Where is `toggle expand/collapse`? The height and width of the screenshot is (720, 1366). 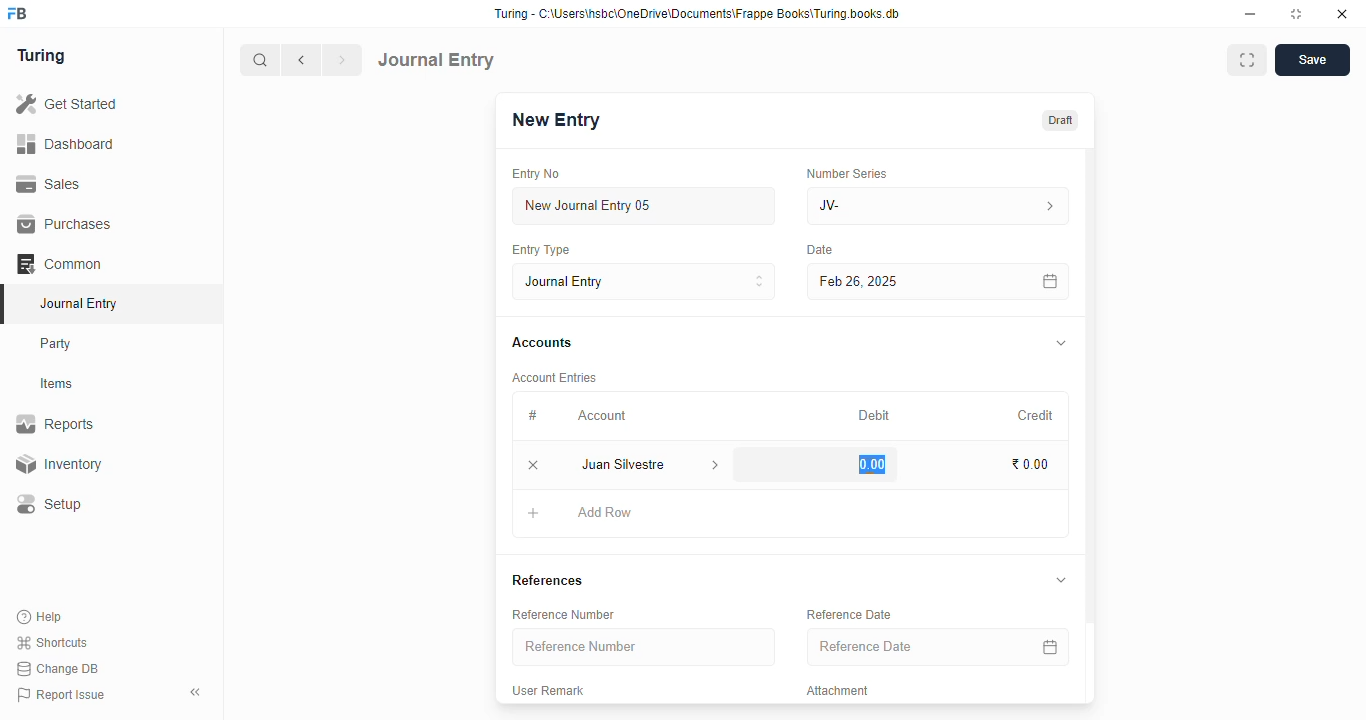
toggle expand/collapse is located at coordinates (1062, 344).